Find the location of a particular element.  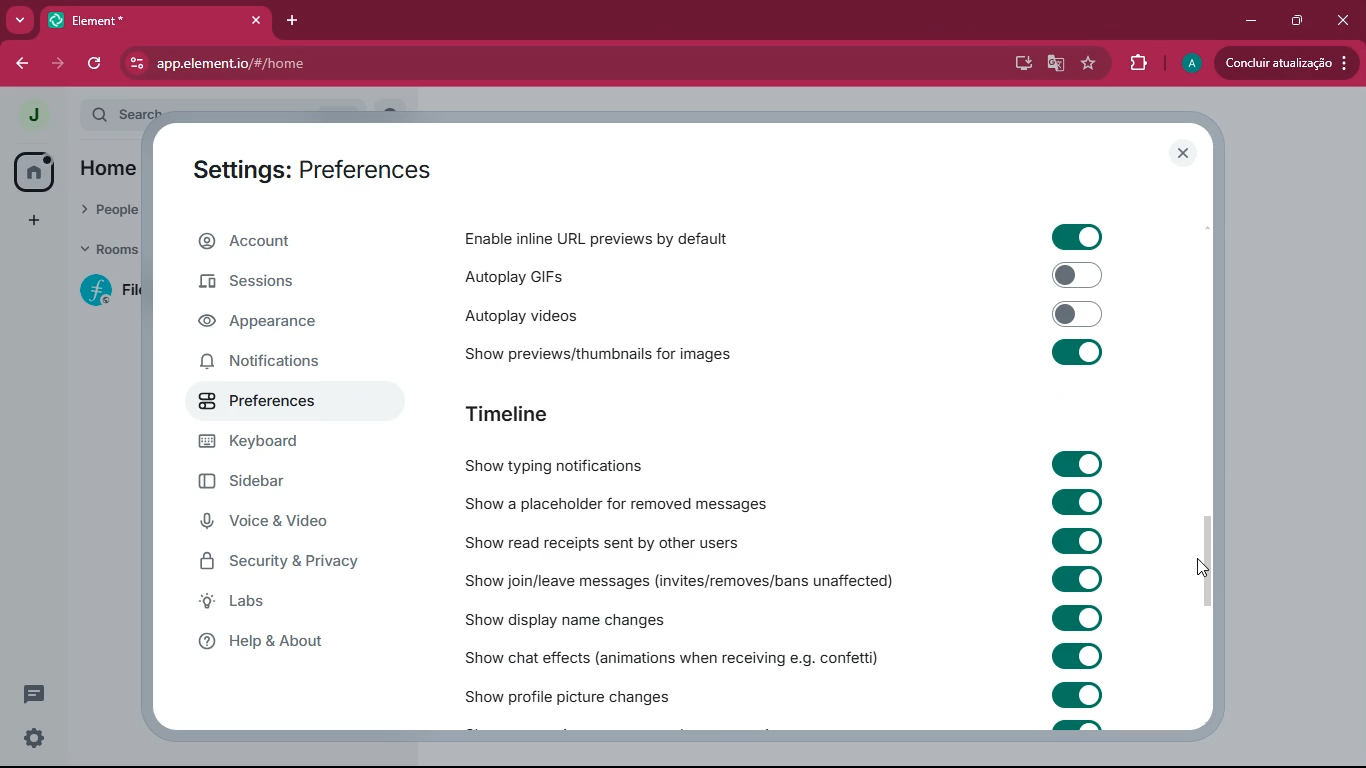

more is located at coordinates (21, 21).